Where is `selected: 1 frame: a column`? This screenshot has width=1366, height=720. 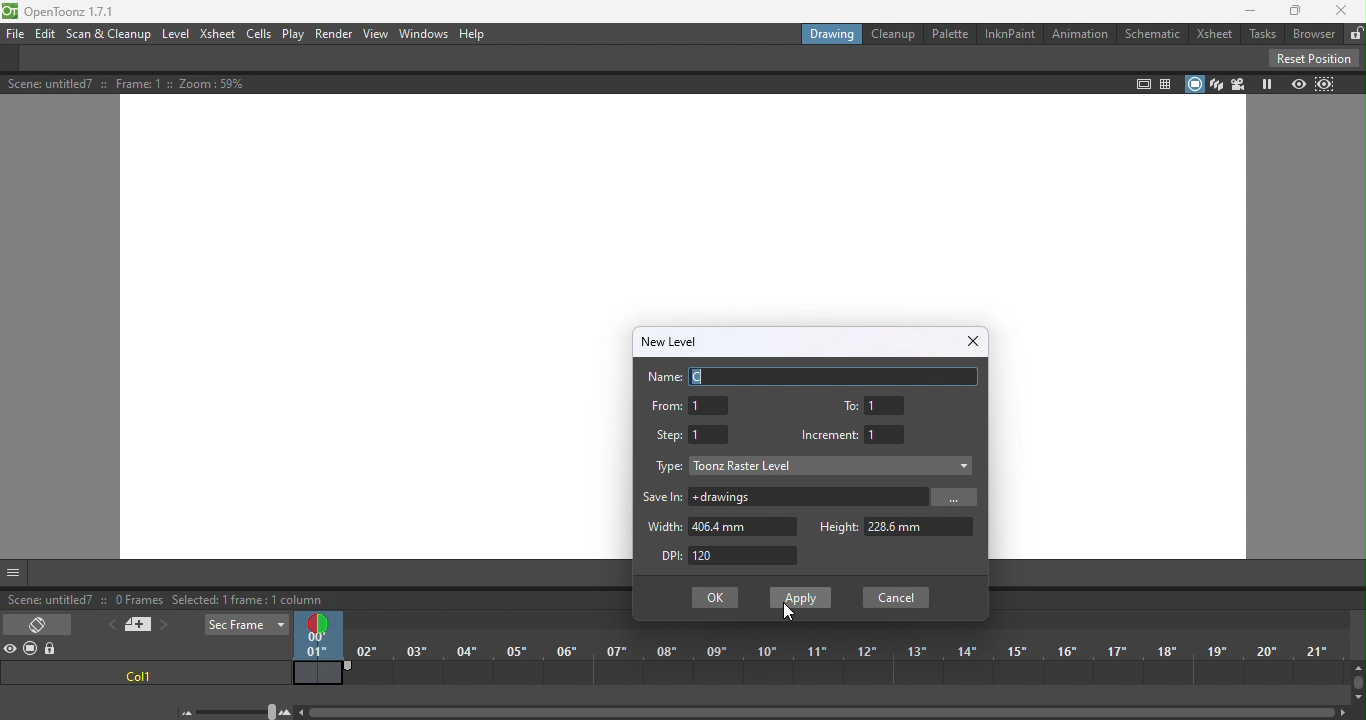 selected: 1 frame: a column is located at coordinates (249, 601).